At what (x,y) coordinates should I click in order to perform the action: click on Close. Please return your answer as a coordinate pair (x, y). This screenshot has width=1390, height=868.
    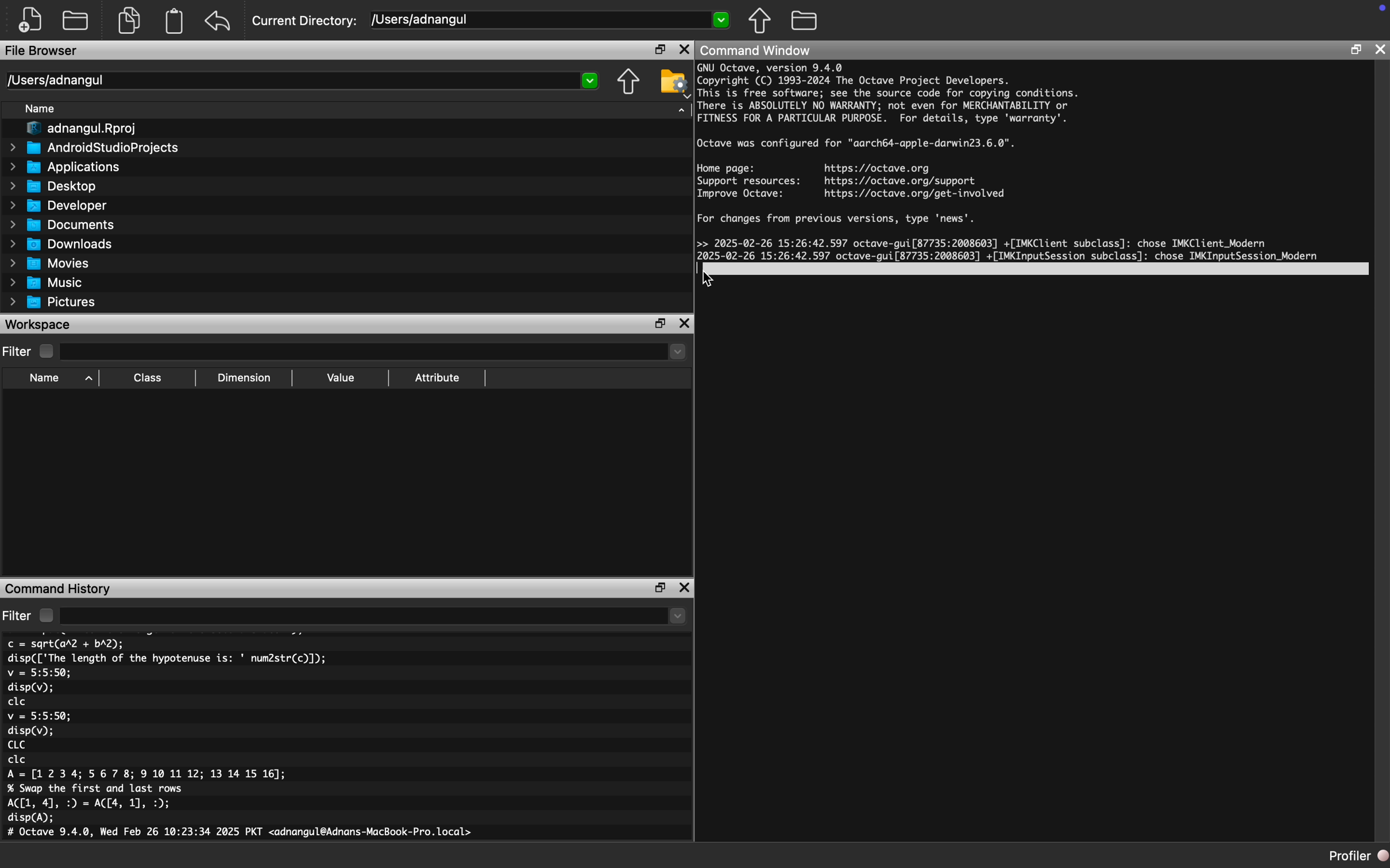
    Looking at the image, I should click on (1381, 49).